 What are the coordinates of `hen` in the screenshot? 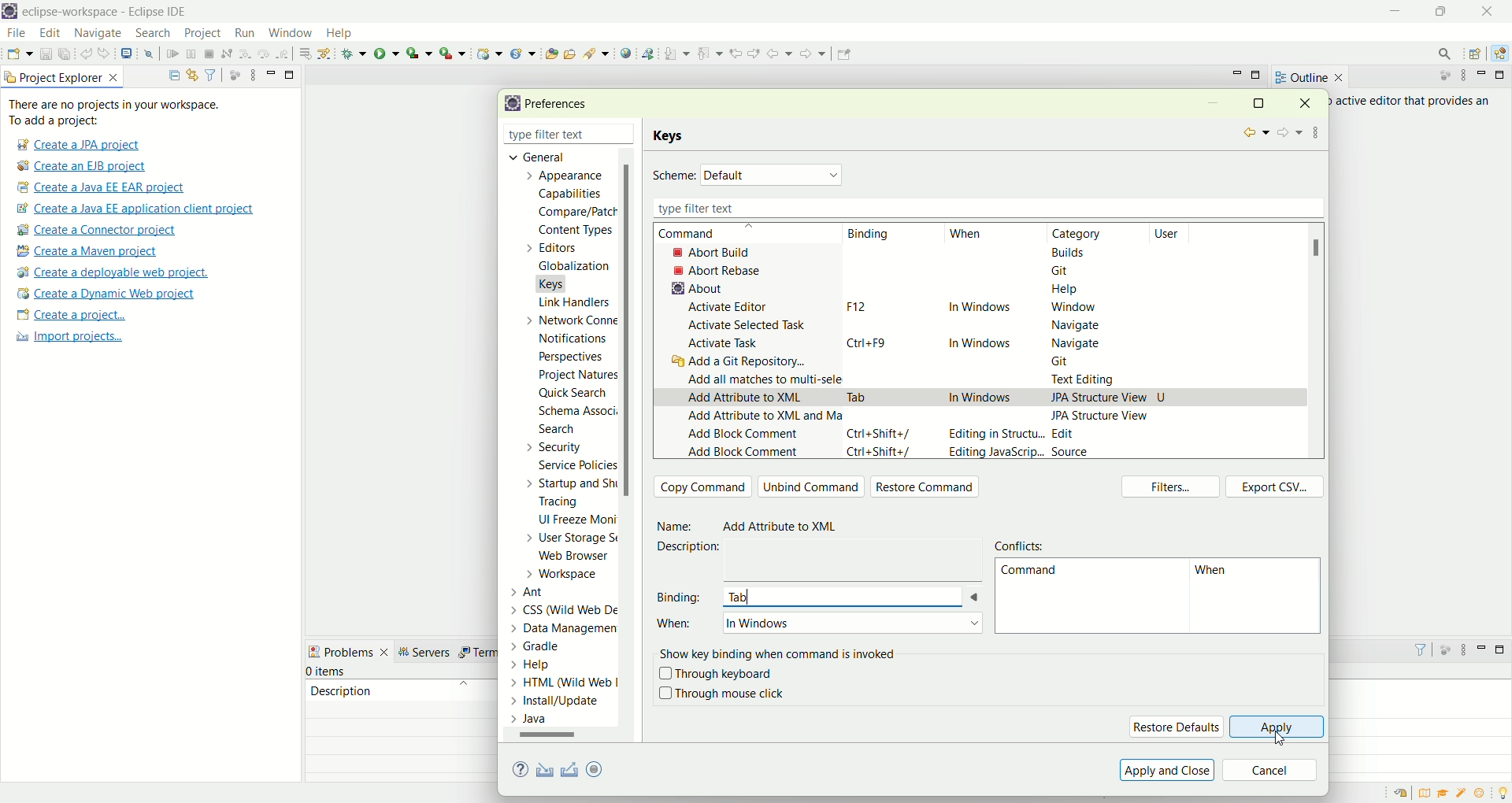 It's located at (1216, 573).